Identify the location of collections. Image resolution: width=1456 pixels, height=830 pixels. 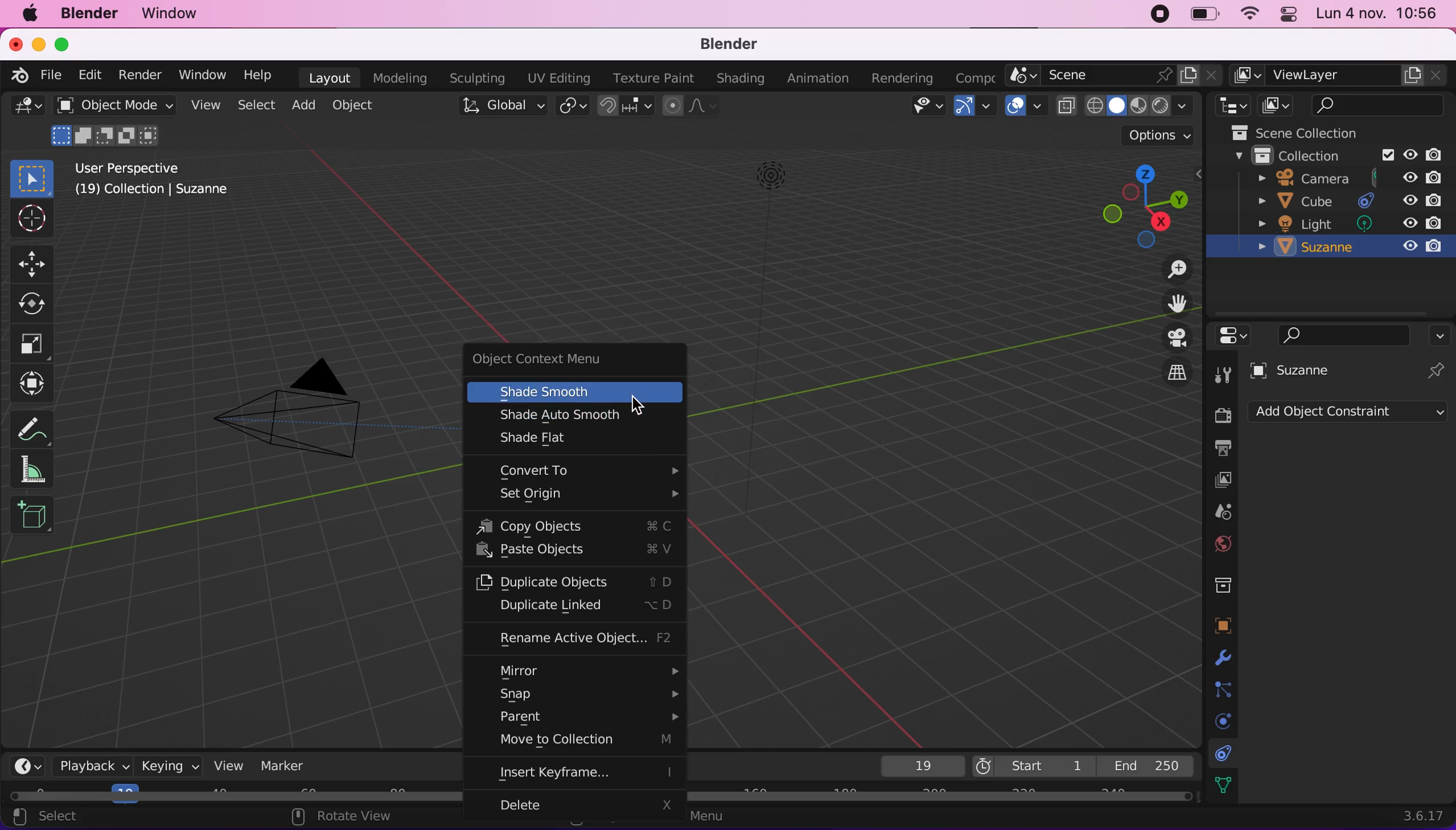
(1224, 583).